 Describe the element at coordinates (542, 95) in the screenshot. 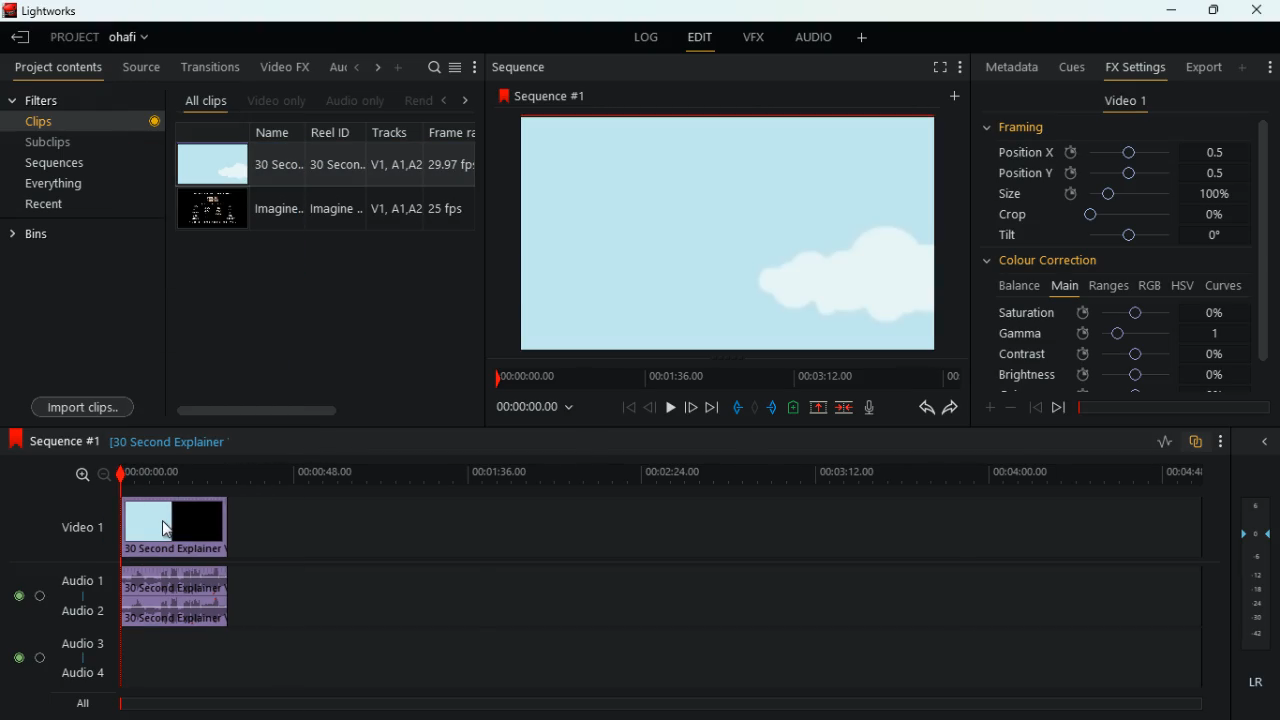

I see `sequence` at that location.